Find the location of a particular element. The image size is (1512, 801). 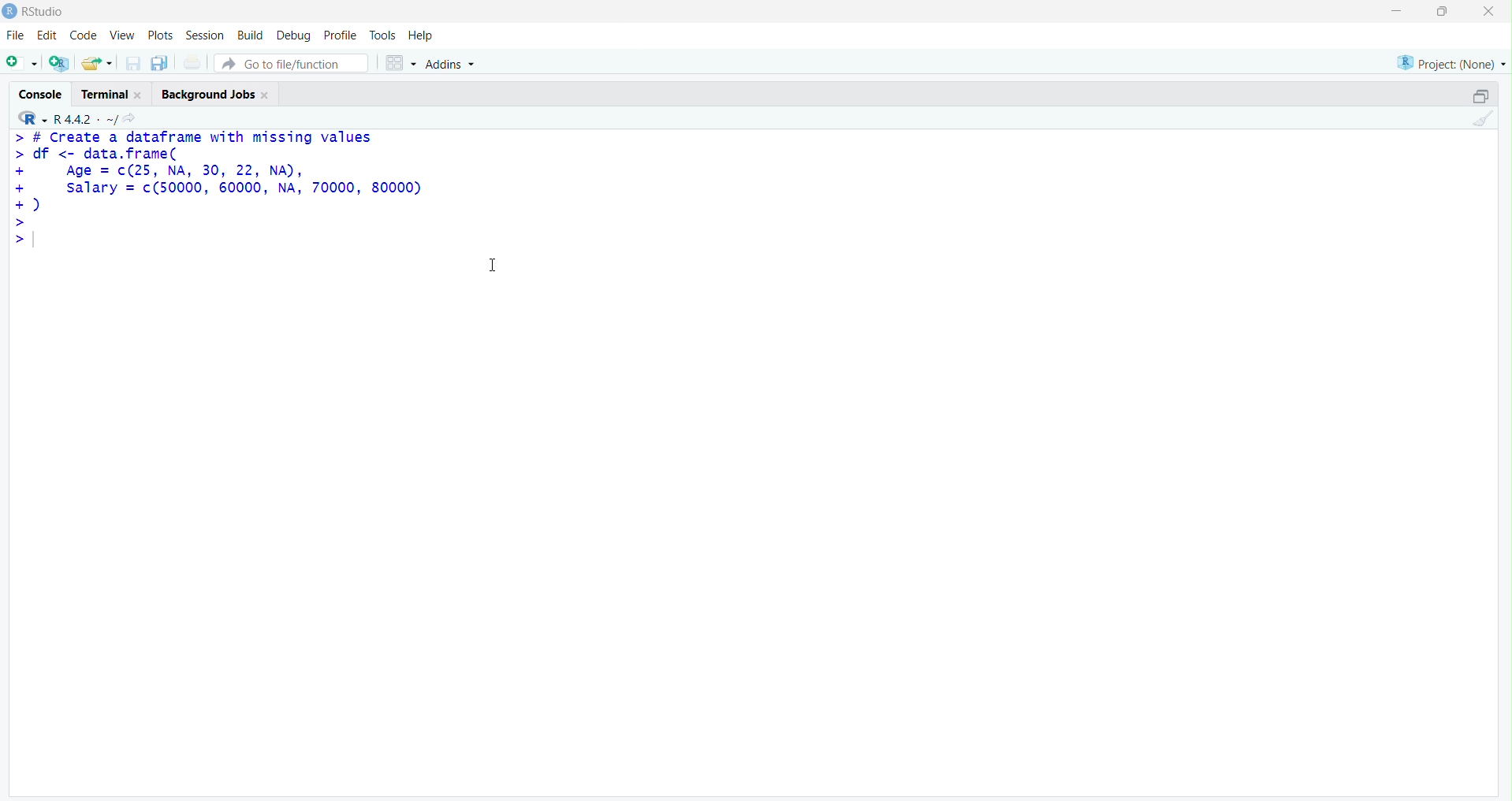

Clear Console (Ctrl + L) is located at coordinates (1480, 121).